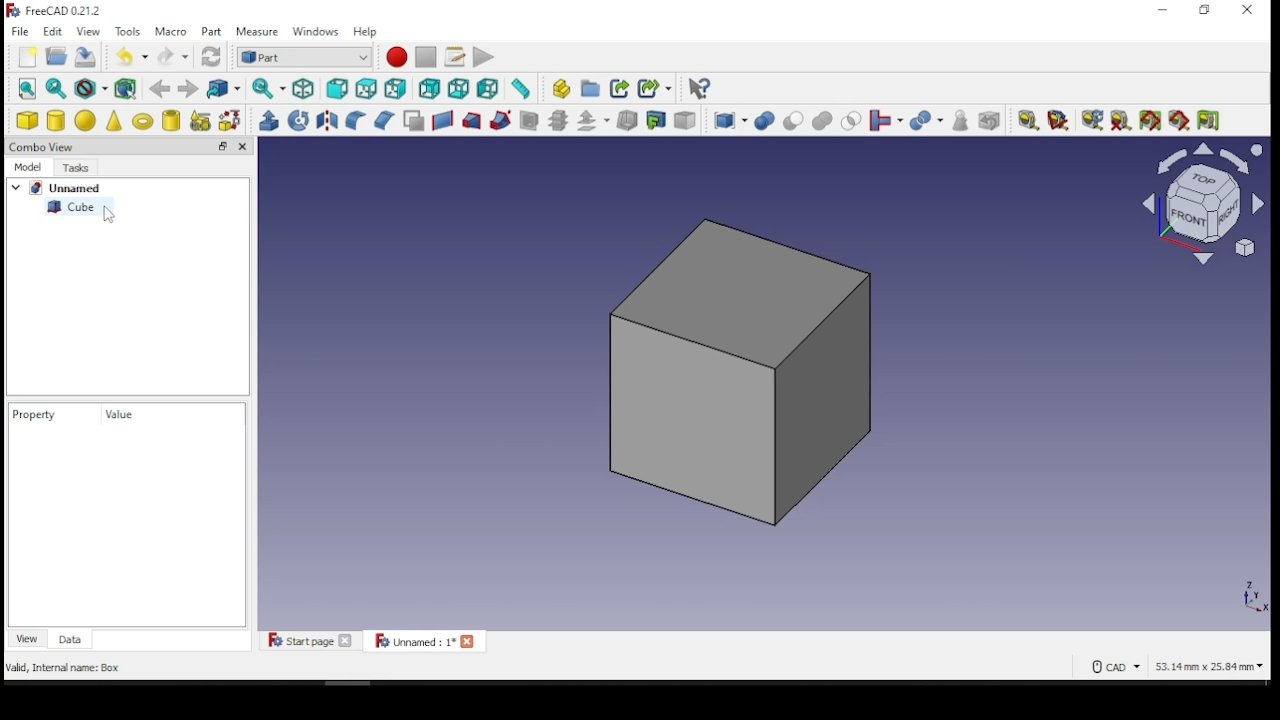 This screenshot has height=720, width=1280. I want to click on what's this?, so click(699, 90).